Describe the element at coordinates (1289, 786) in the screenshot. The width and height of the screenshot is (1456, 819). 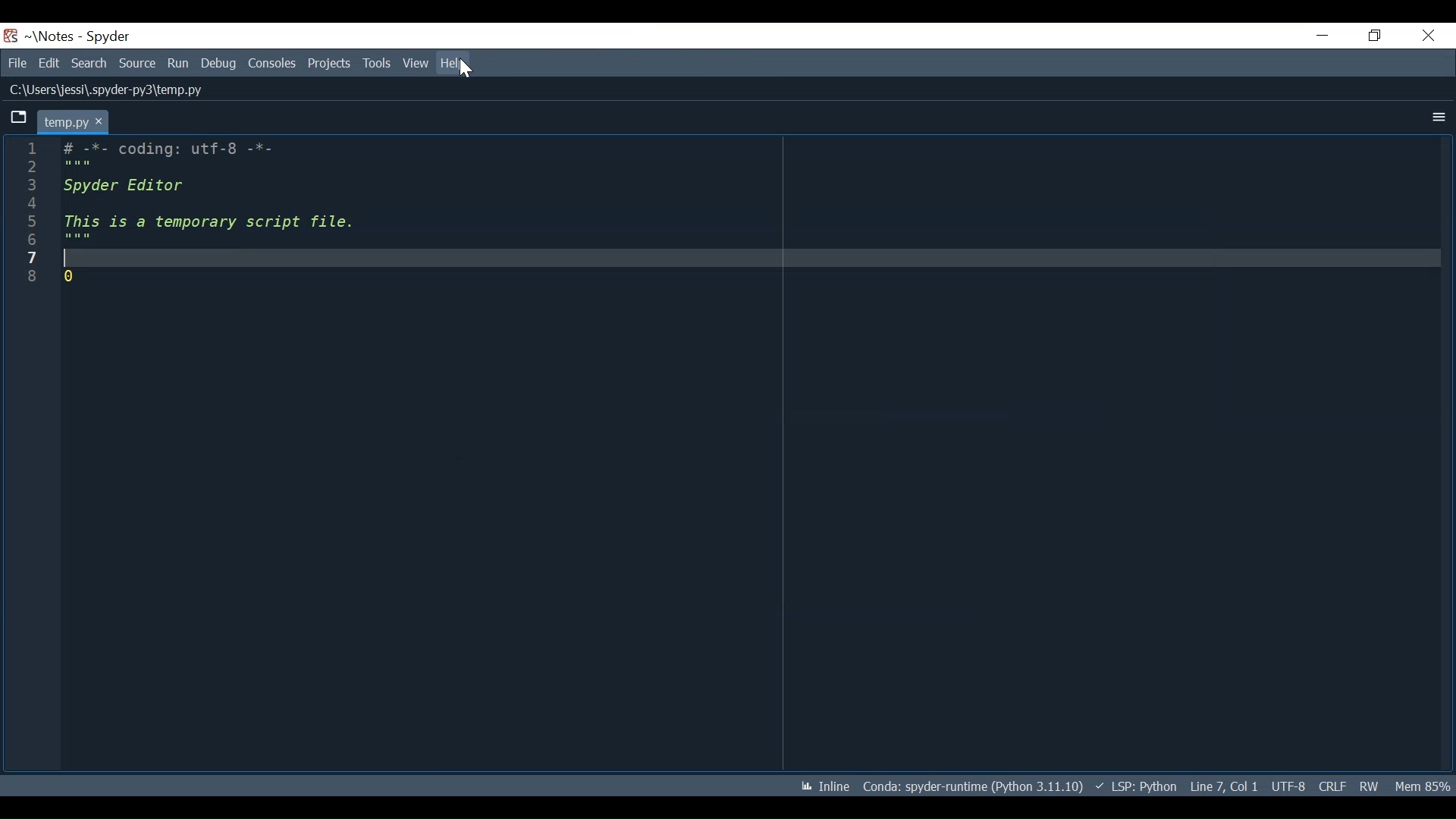
I see `UTF: 8` at that location.